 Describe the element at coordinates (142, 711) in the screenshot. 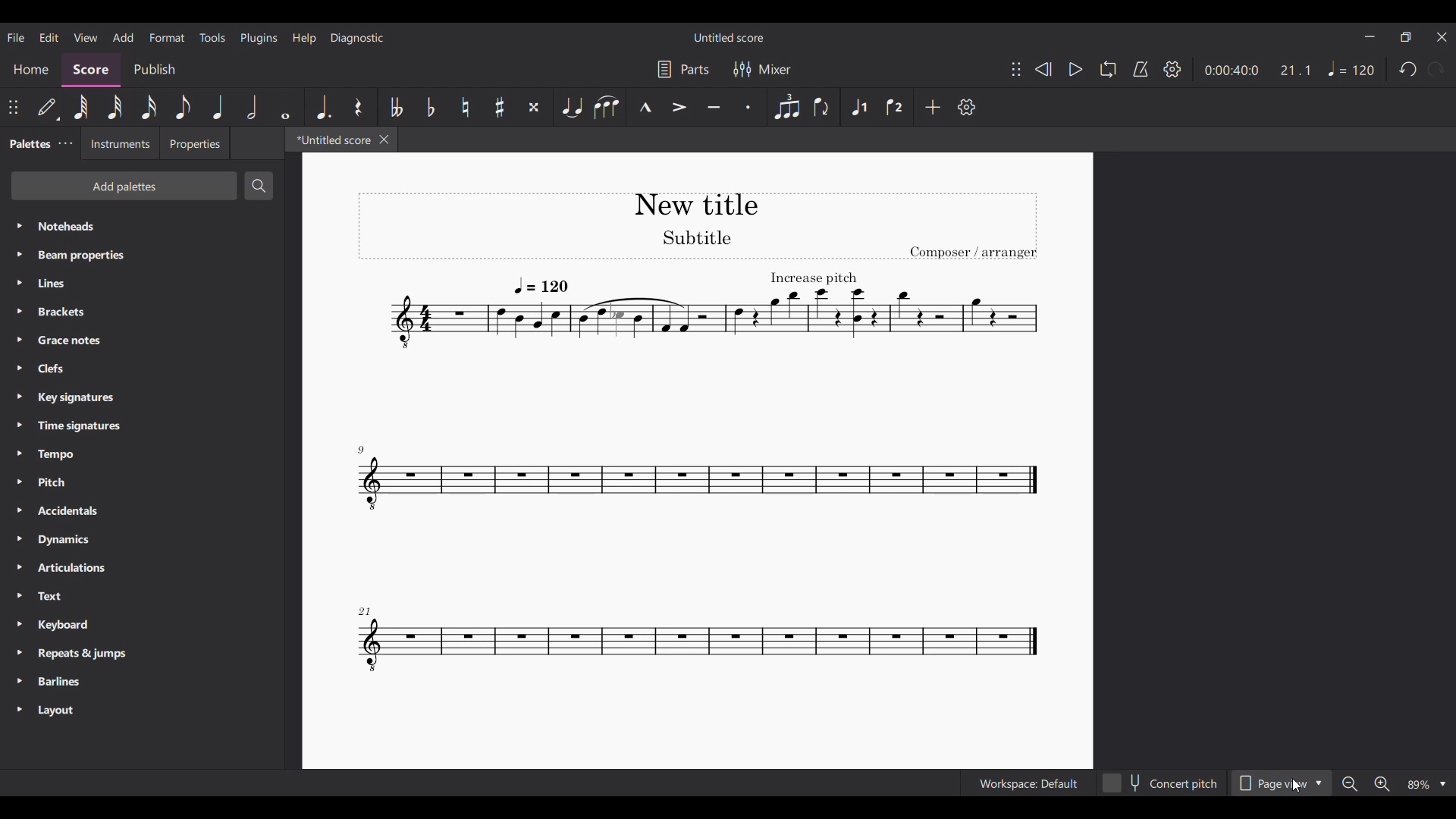

I see `Layout` at that location.